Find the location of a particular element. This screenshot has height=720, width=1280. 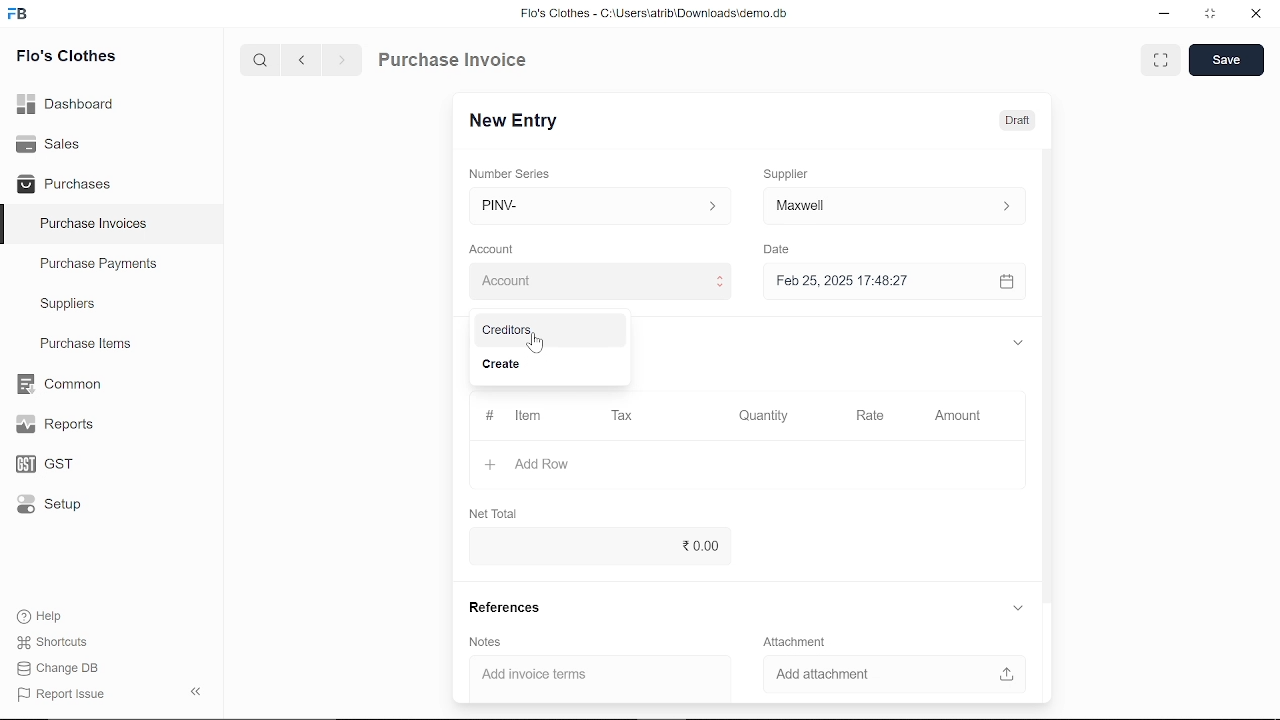

Reports is located at coordinates (54, 425).